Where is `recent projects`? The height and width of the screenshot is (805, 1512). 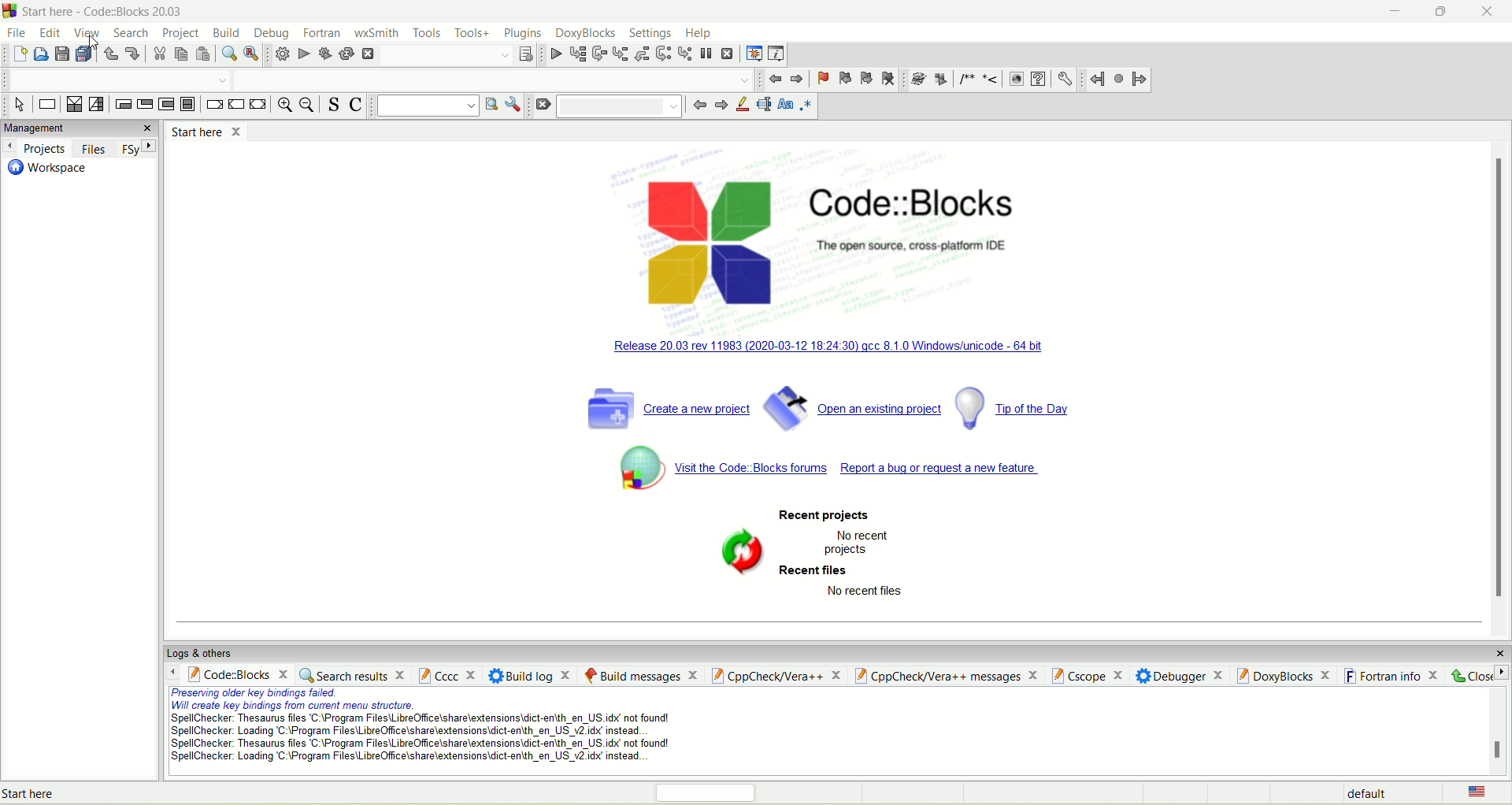 recent projects is located at coordinates (825, 514).